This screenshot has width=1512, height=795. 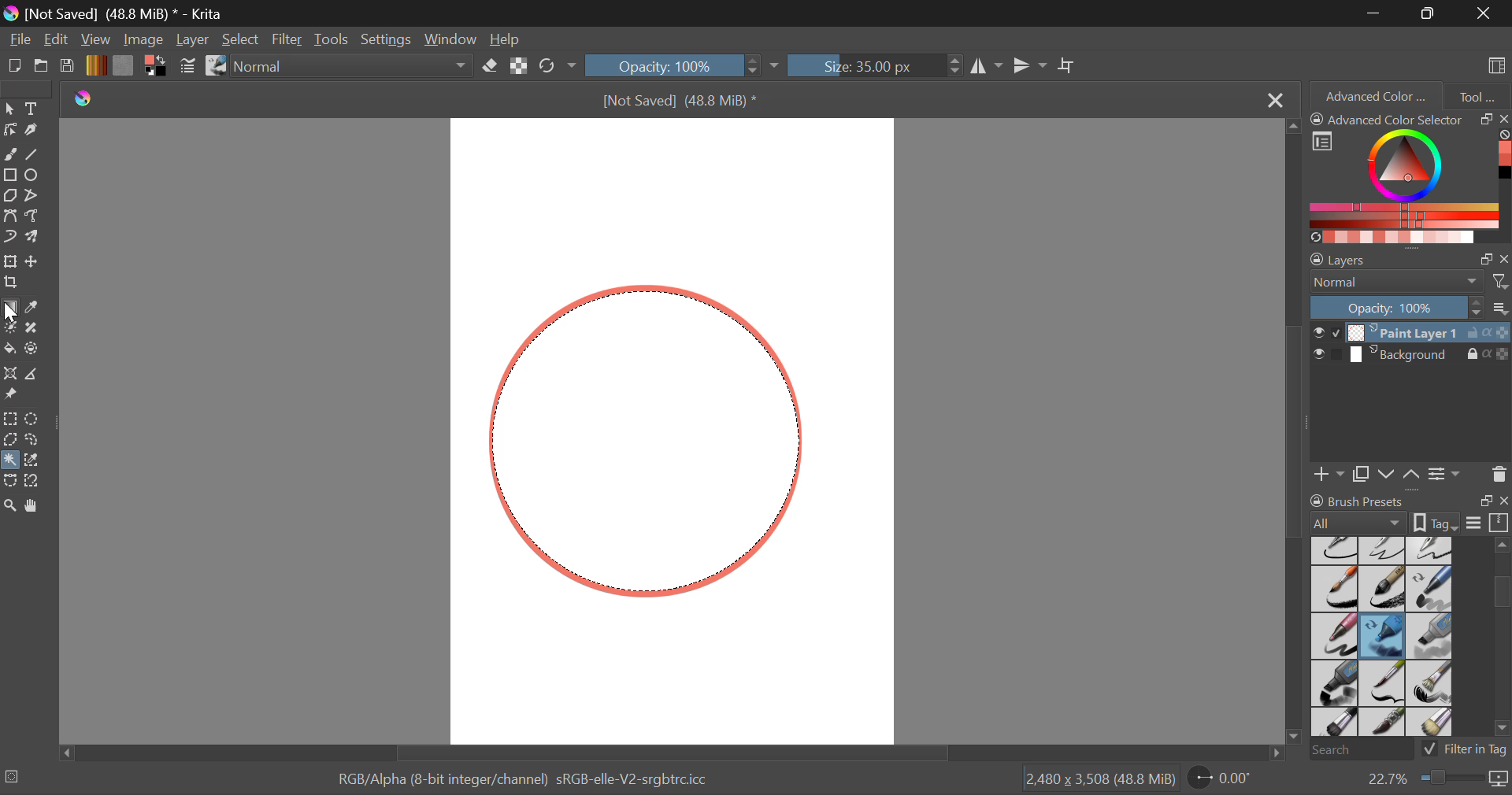 What do you see at coordinates (1104, 779) in the screenshot?
I see `Page Dimensions` at bounding box center [1104, 779].